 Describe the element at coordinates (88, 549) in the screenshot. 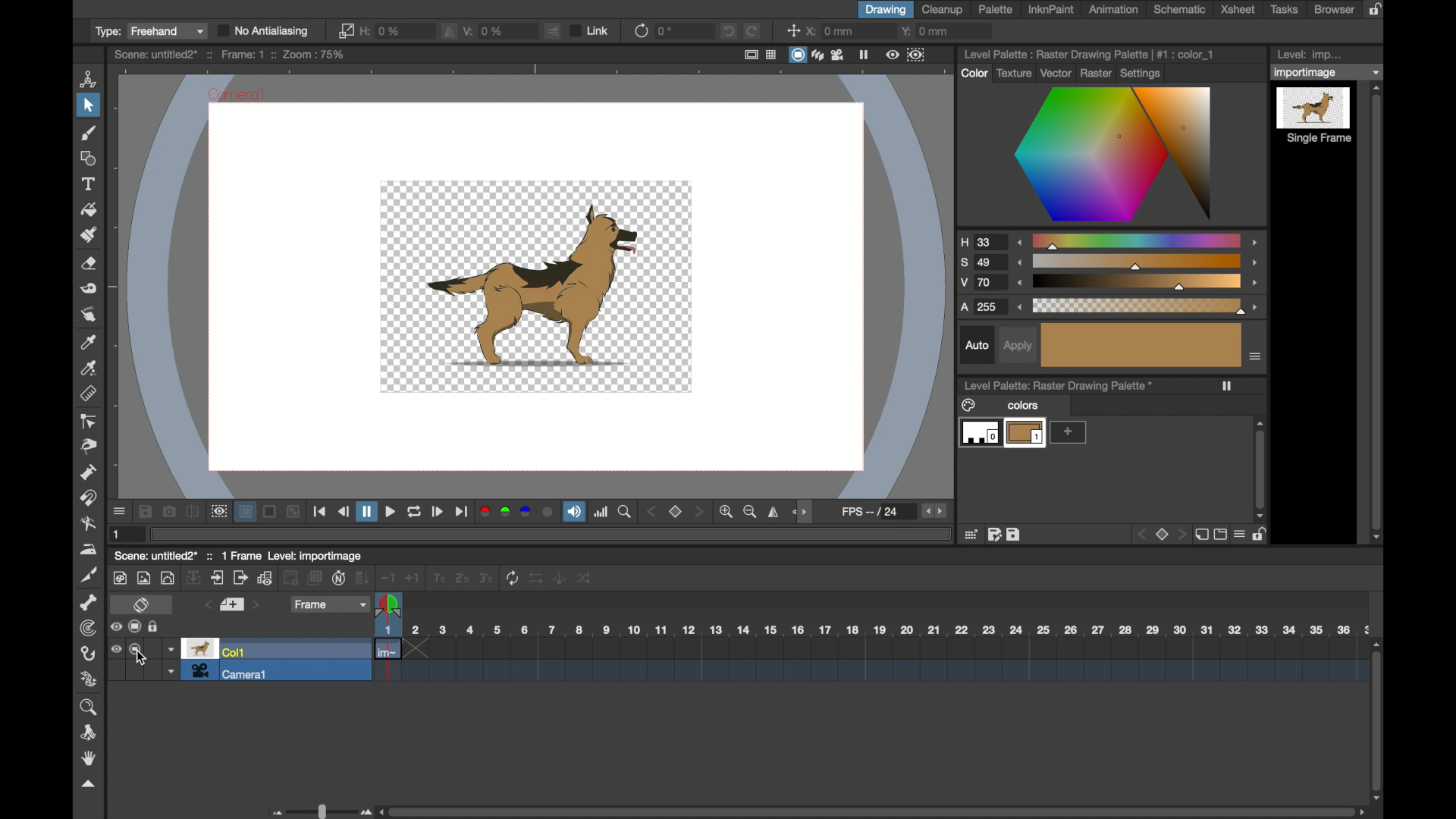

I see `iron tool` at that location.